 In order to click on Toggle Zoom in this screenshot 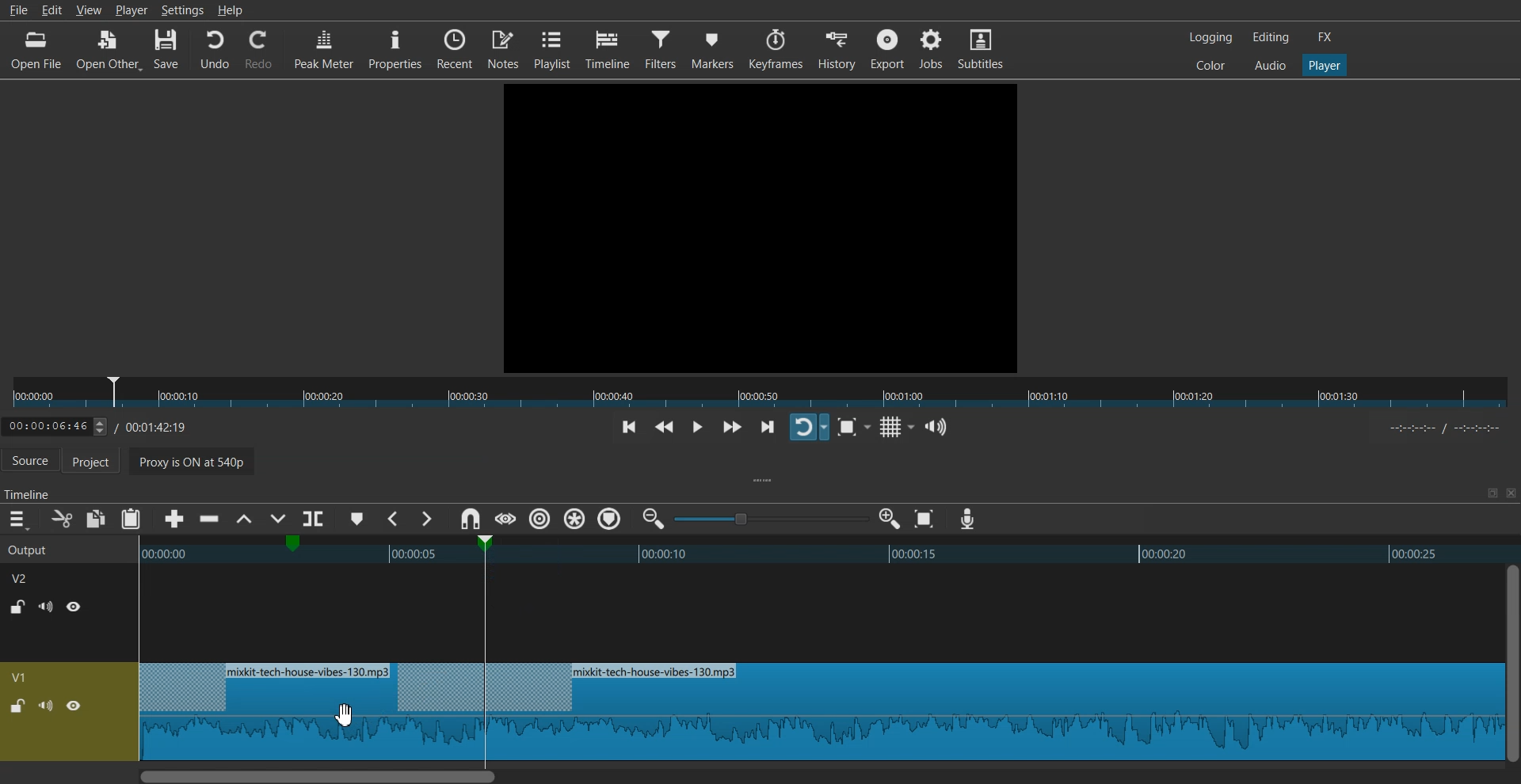, I will do `click(849, 428)`.